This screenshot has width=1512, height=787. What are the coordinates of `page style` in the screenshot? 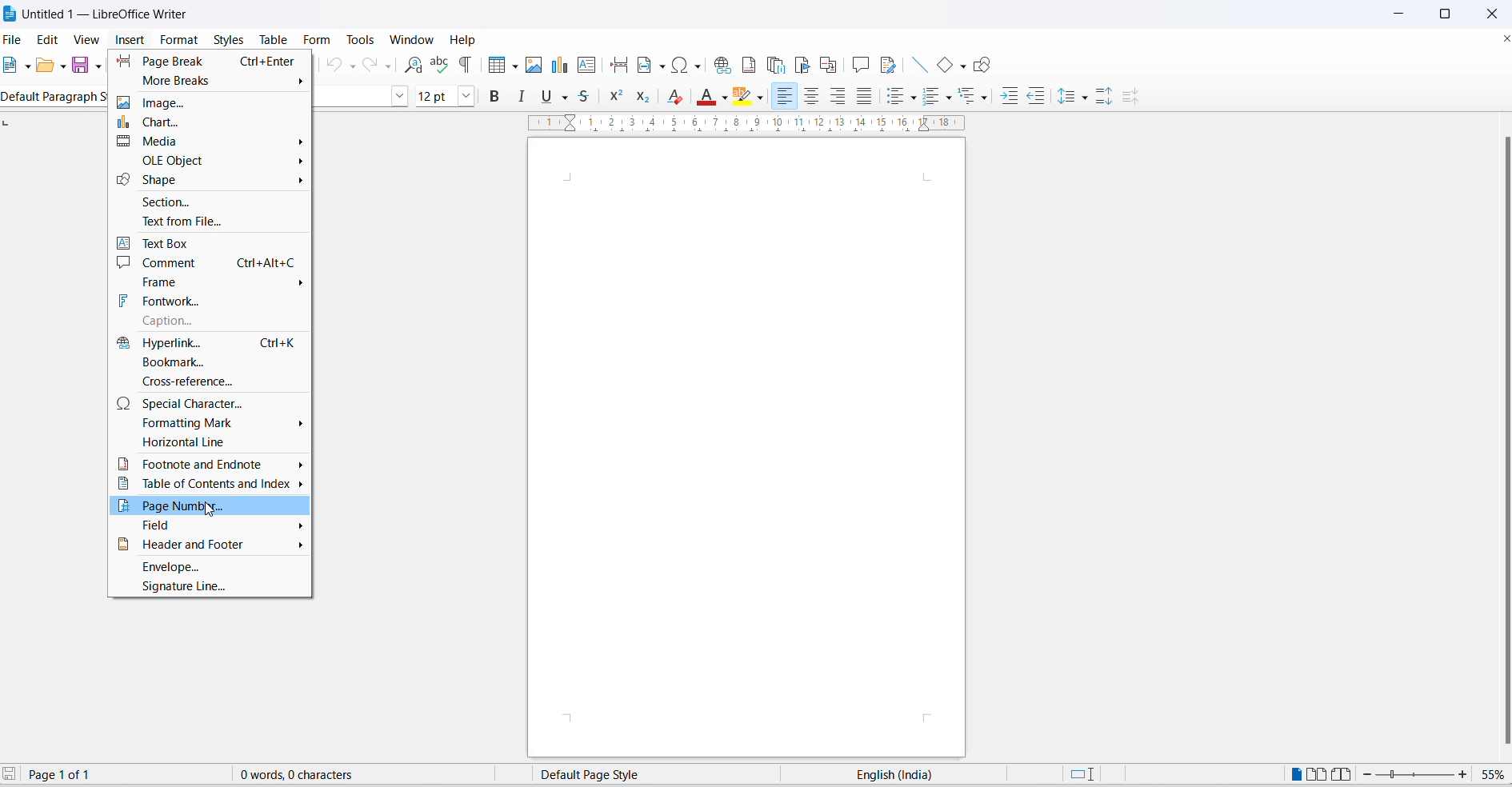 It's located at (638, 774).